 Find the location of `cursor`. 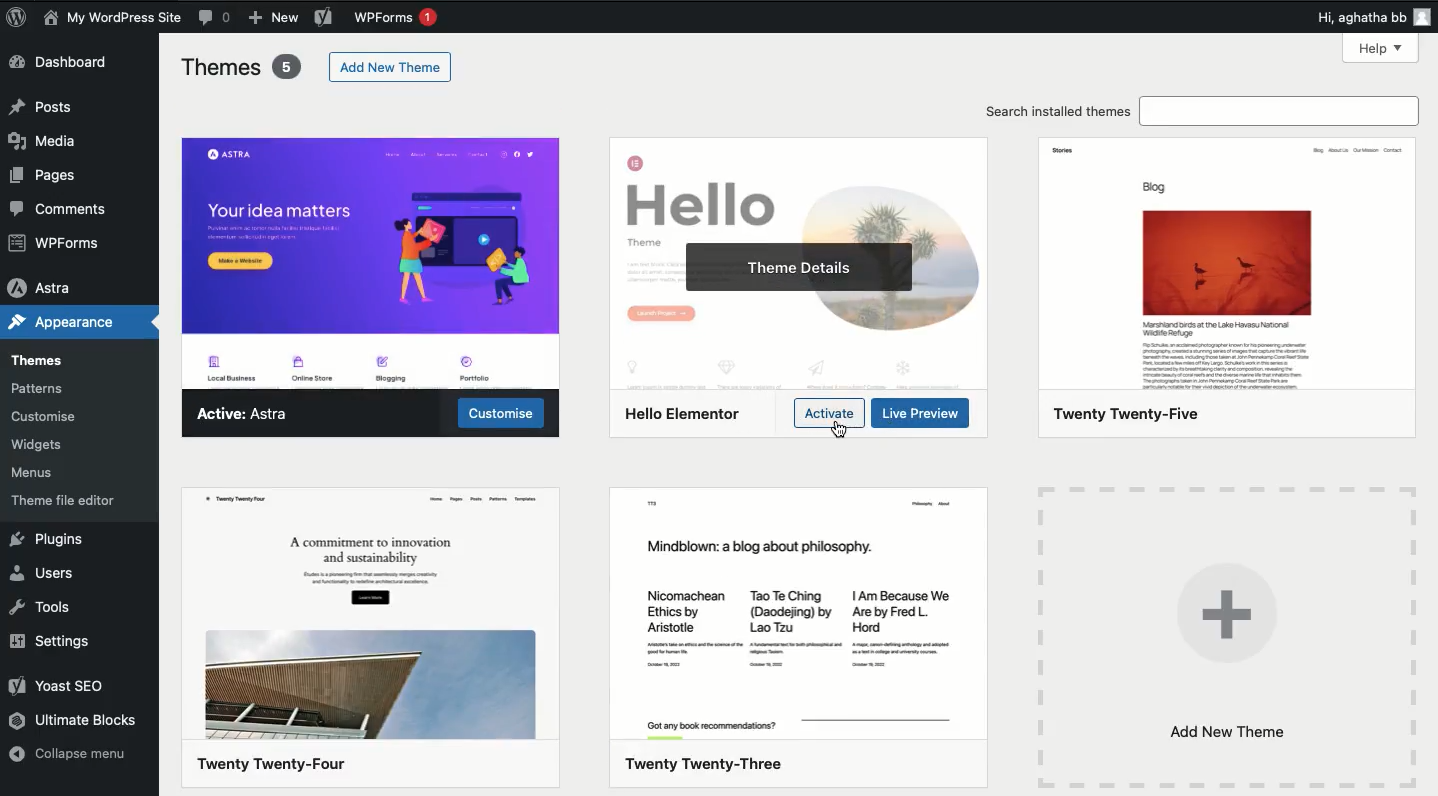

cursor is located at coordinates (838, 431).